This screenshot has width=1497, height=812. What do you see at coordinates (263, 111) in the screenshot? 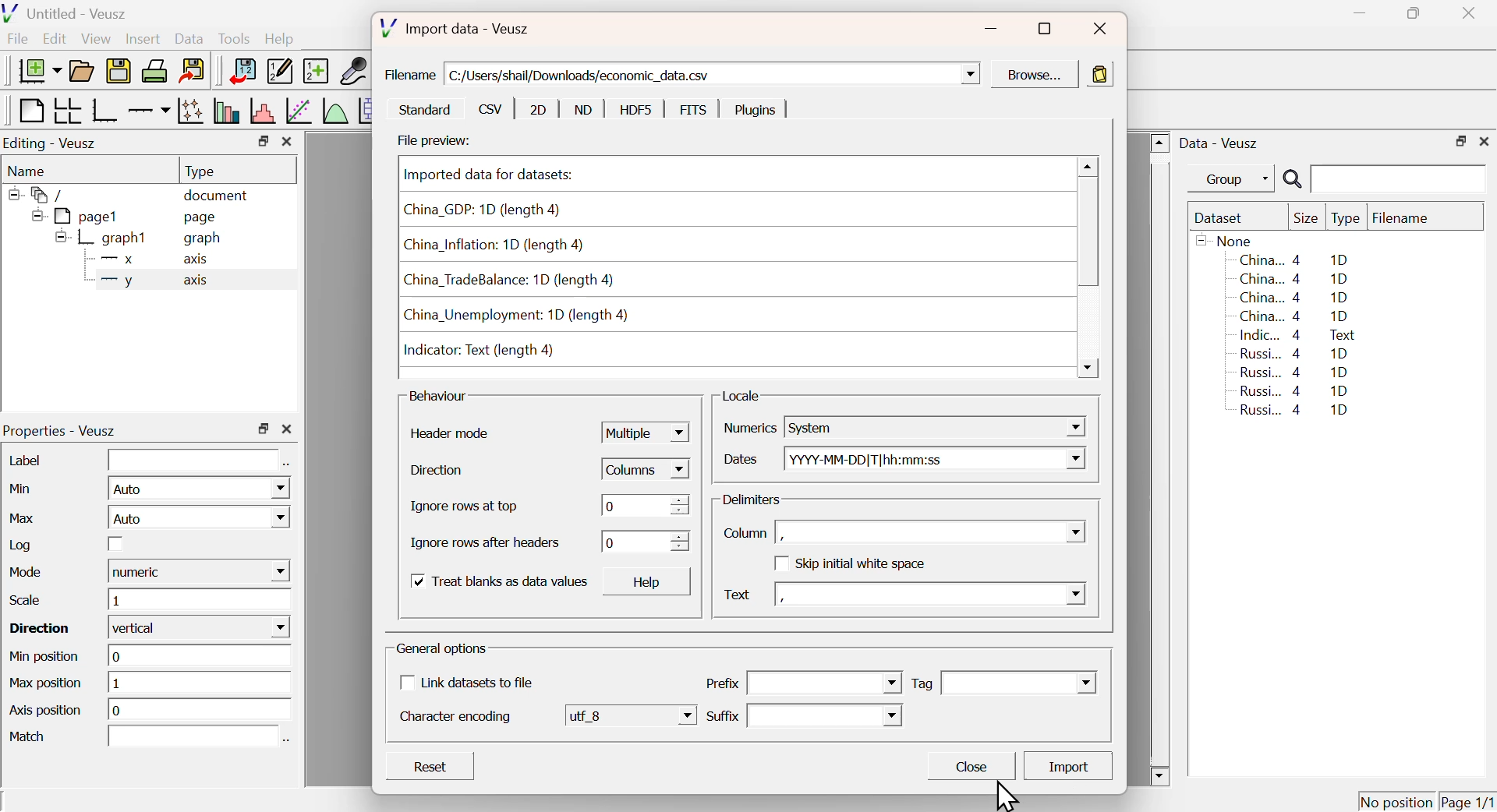
I see `Histogram of a dataset` at bounding box center [263, 111].